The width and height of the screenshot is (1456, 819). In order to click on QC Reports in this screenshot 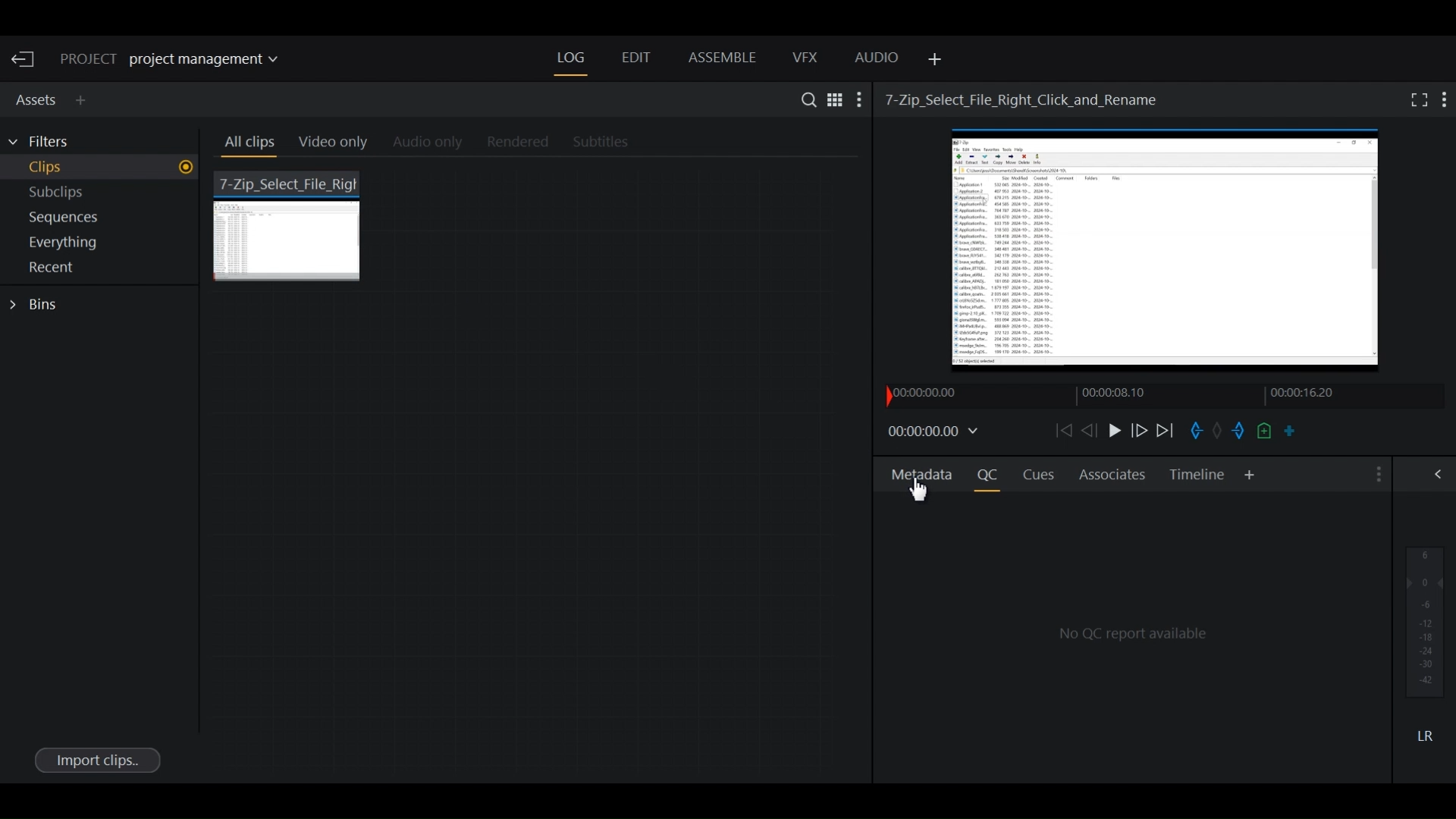, I will do `click(1136, 632)`.